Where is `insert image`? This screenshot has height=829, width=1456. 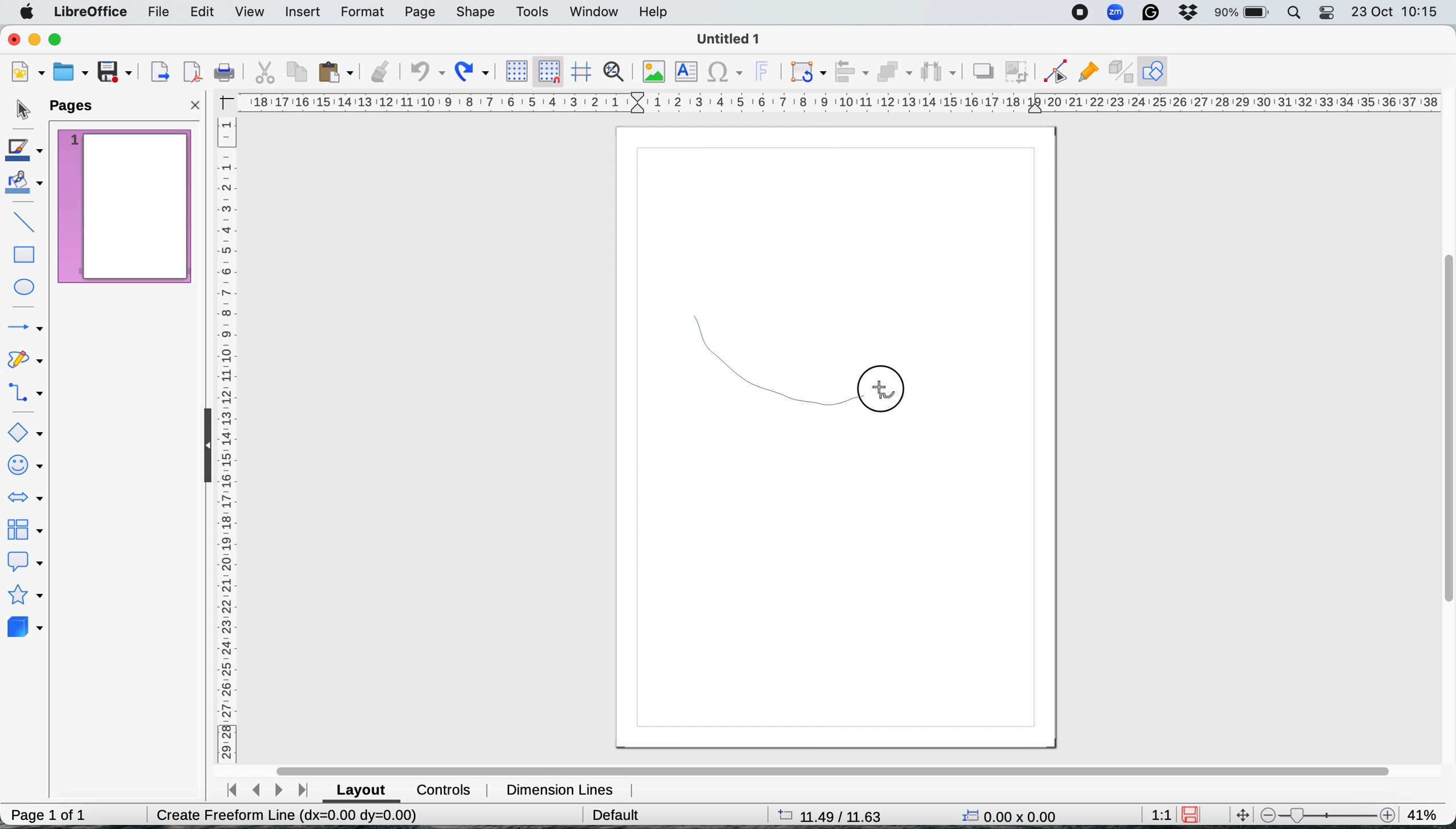 insert image is located at coordinates (657, 73).